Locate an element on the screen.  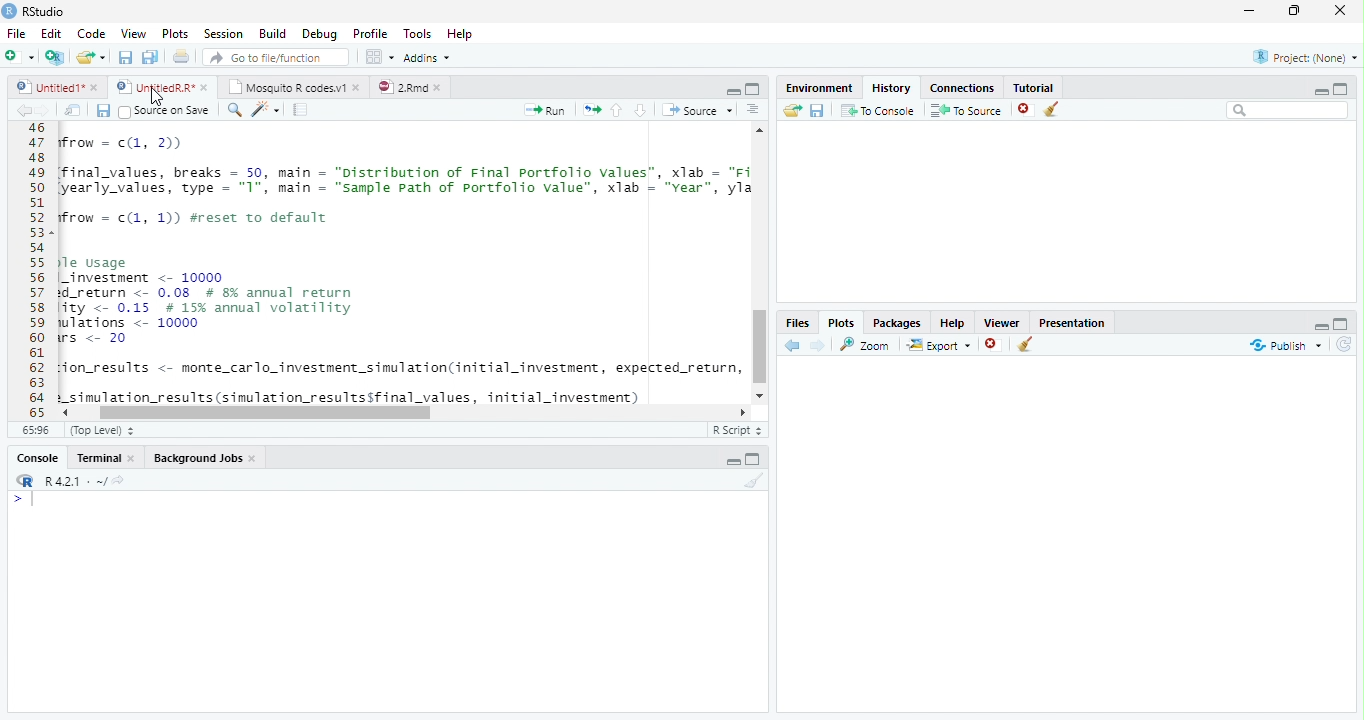
Scroll down is located at coordinates (761, 393).